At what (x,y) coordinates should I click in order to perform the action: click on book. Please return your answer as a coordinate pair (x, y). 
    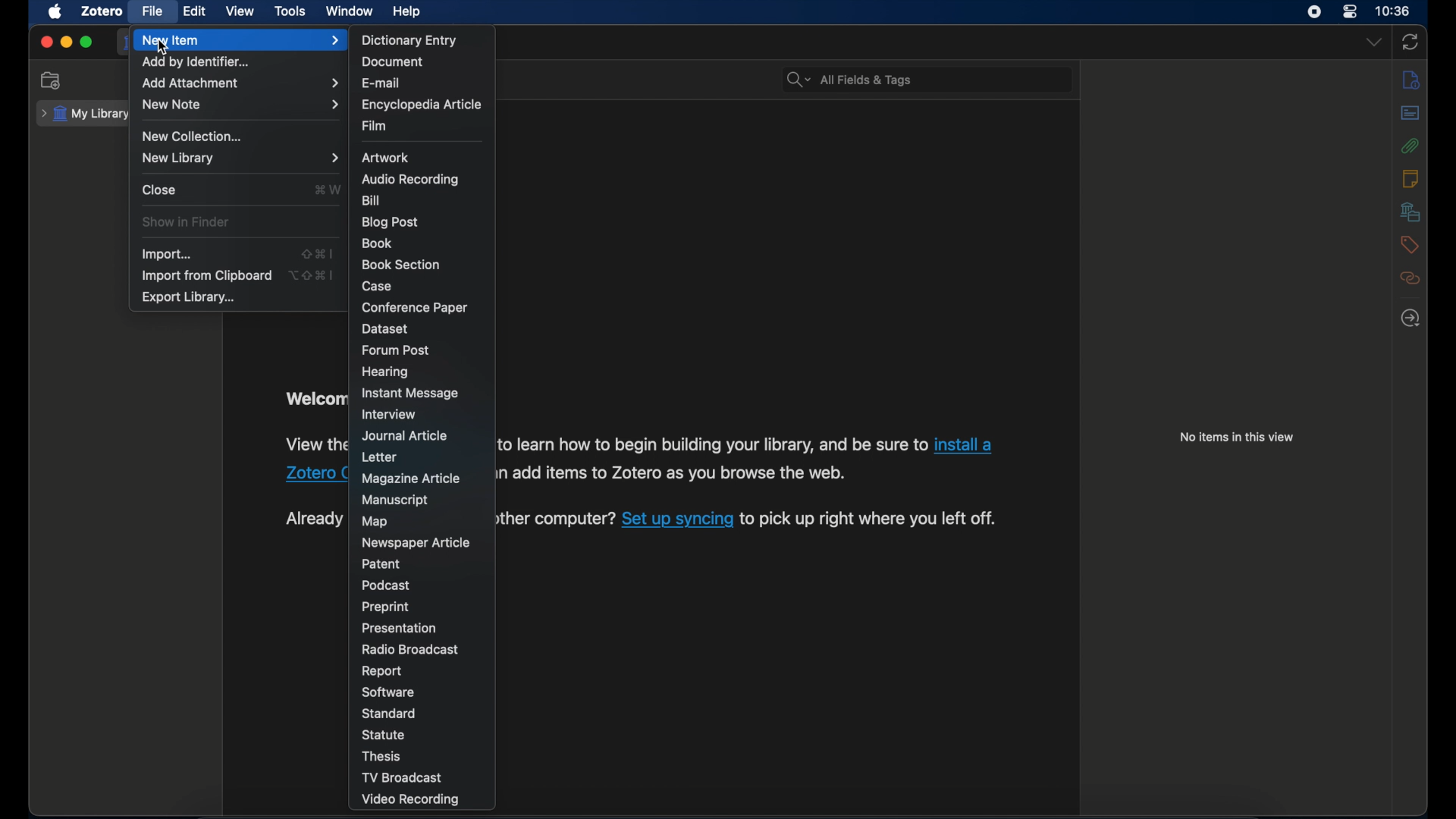
    Looking at the image, I should click on (378, 243).